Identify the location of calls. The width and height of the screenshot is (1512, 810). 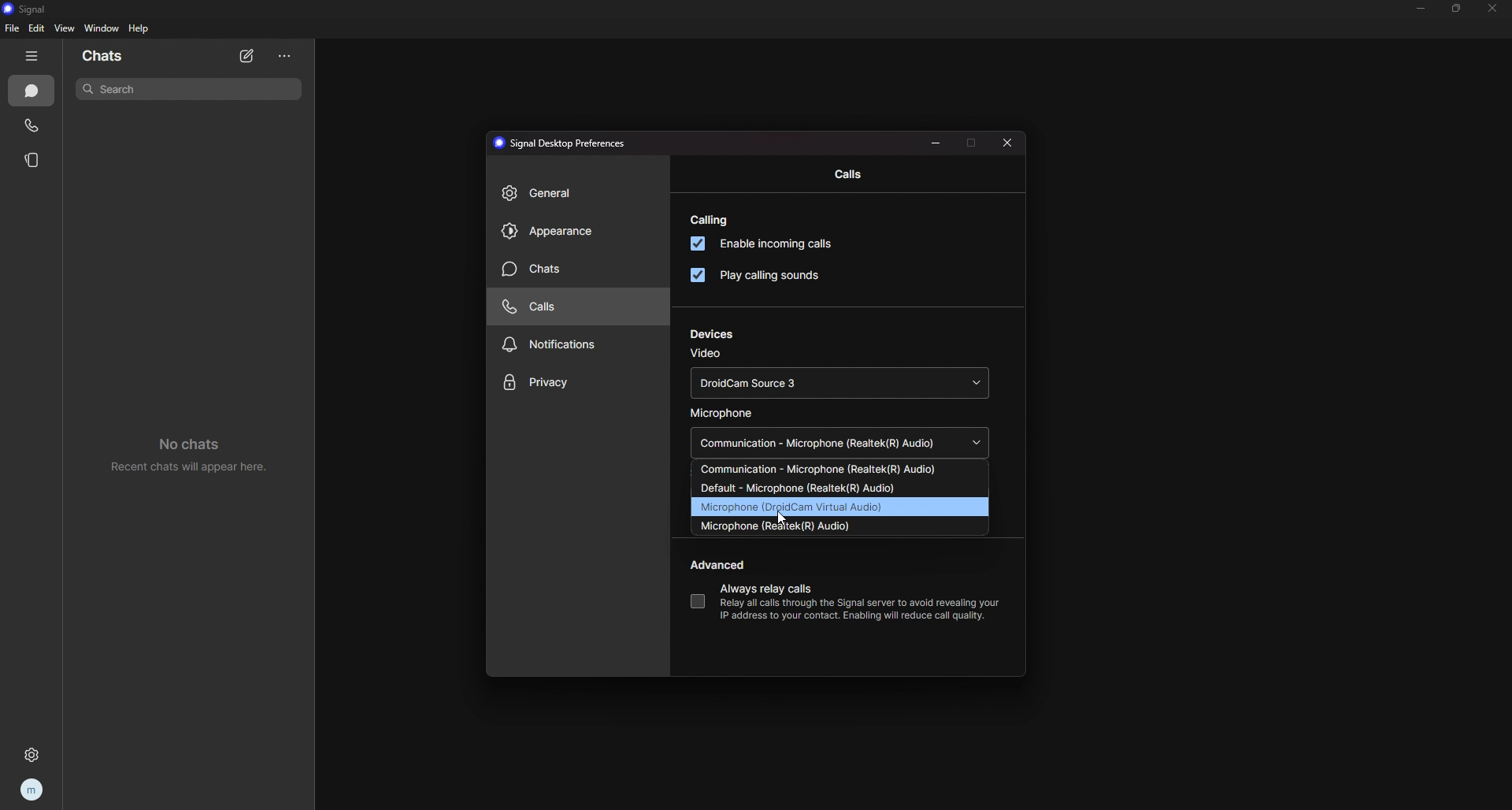
(843, 174).